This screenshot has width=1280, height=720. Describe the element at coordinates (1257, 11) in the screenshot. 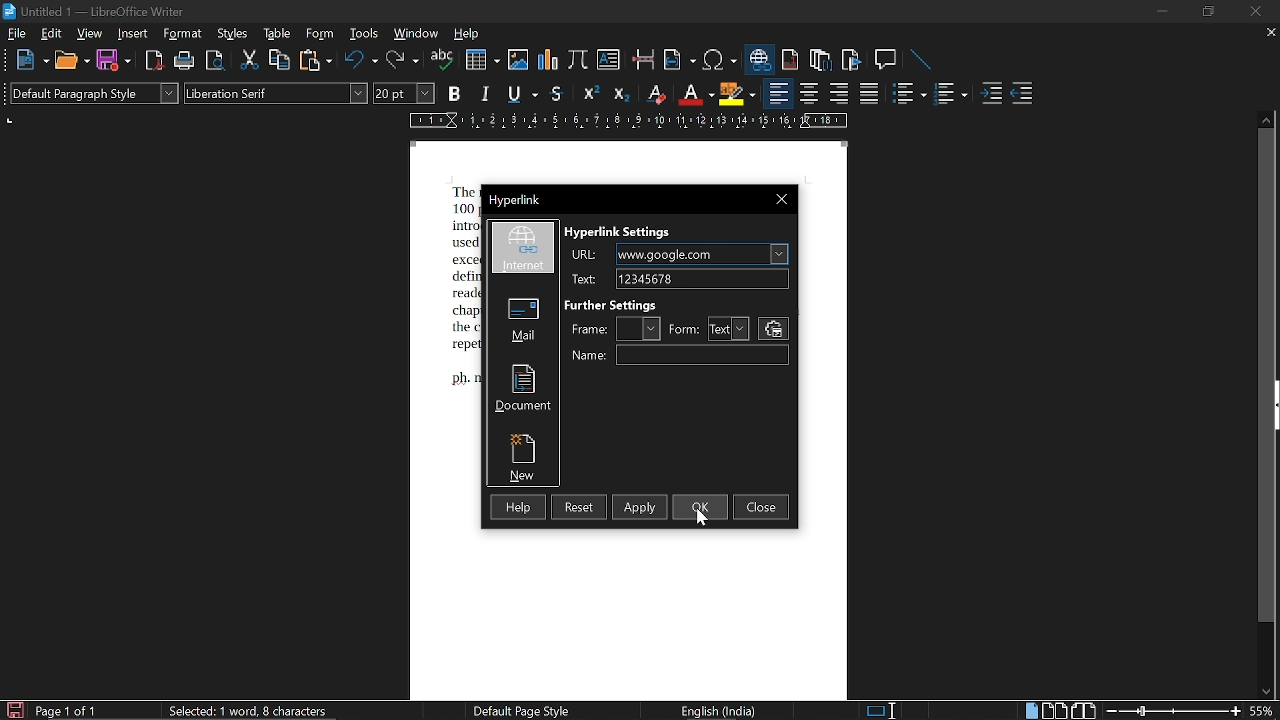

I see `close` at that location.